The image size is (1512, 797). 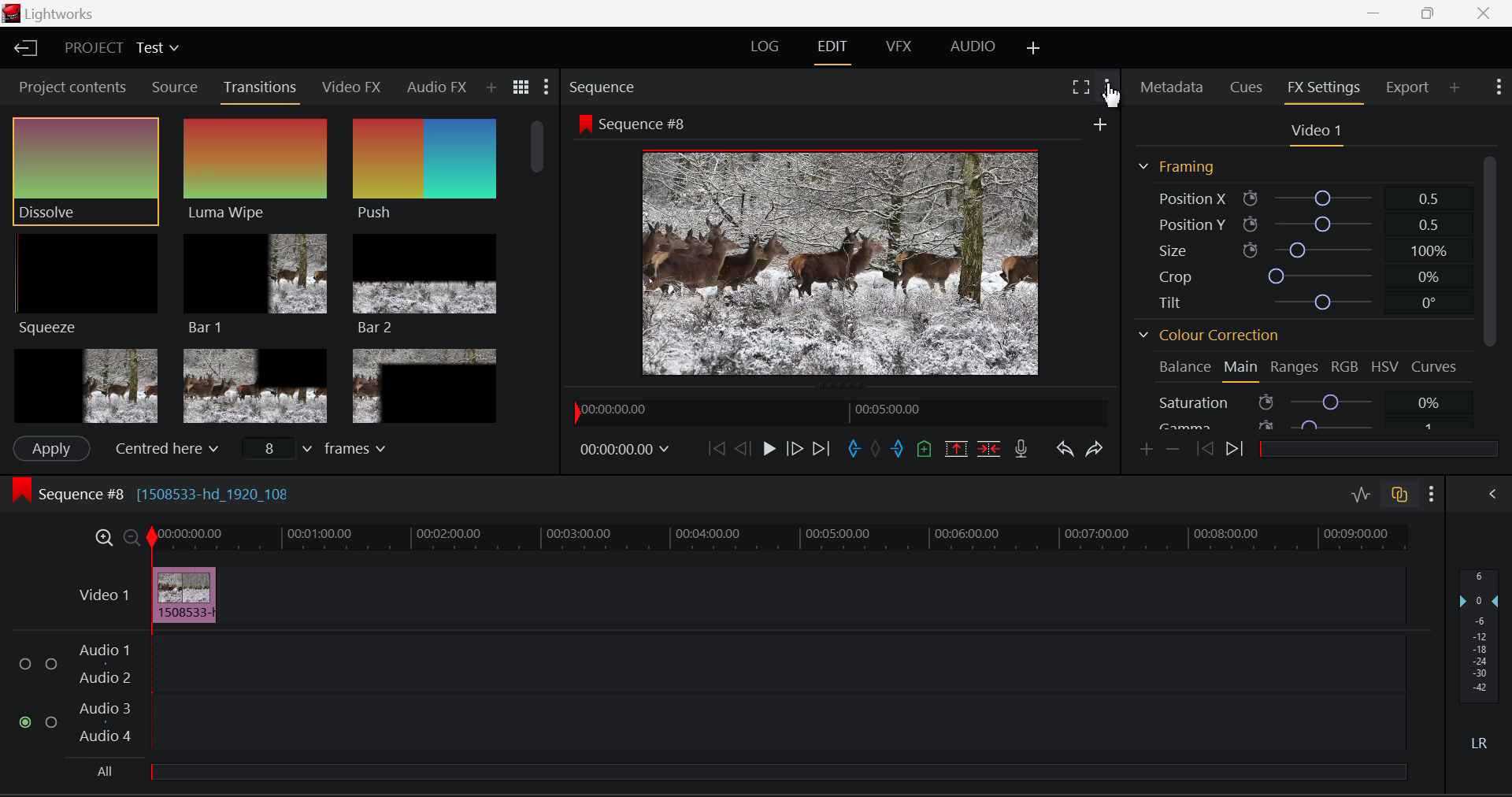 What do you see at coordinates (769, 46) in the screenshot?
I see `LOG Layout` at bounding box center [769, 46].